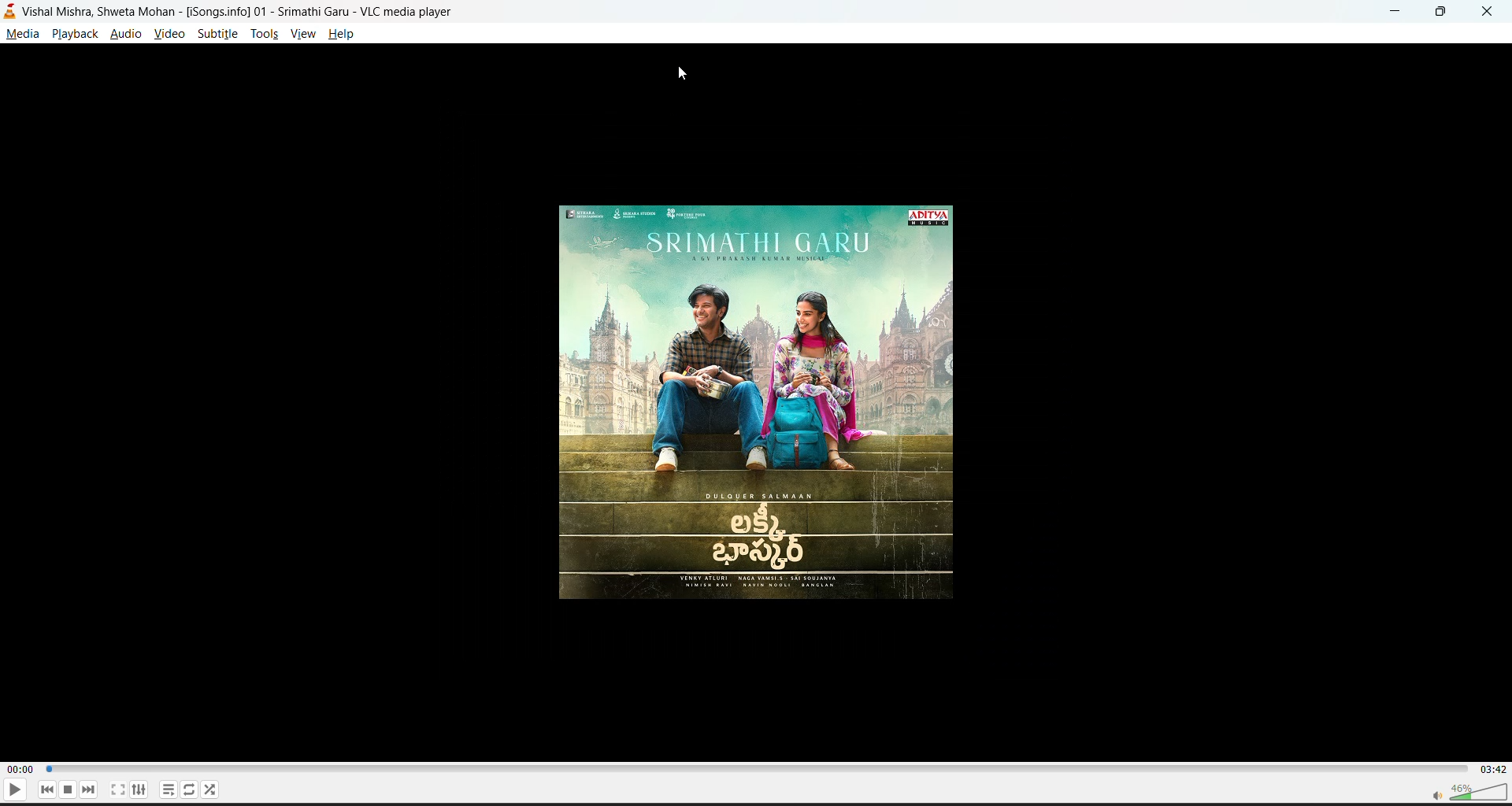  I want to click on subtitle, so click(218, 35).